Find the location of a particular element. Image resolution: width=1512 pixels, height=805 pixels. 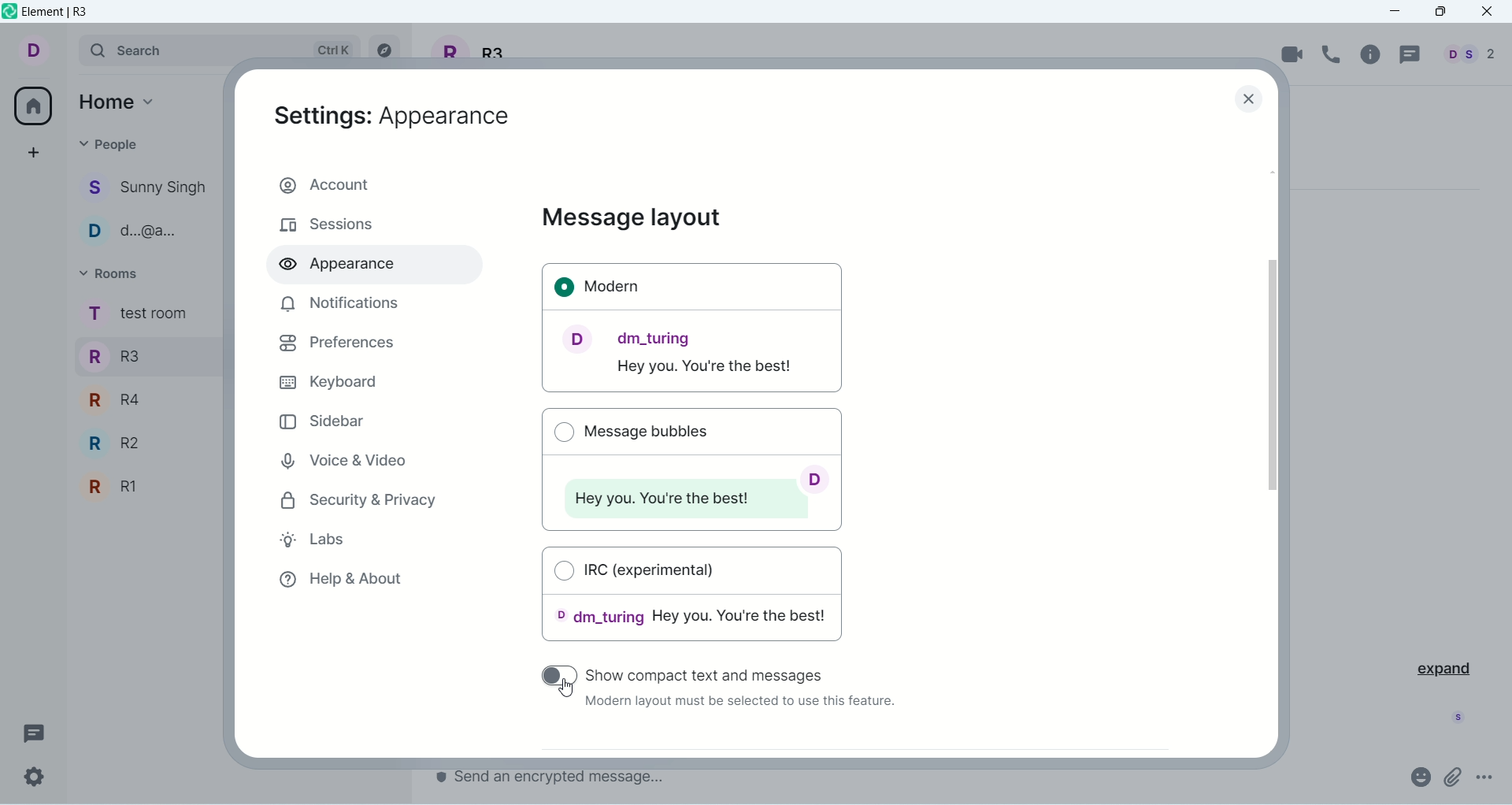

close is located at coordinates (1489, 13).